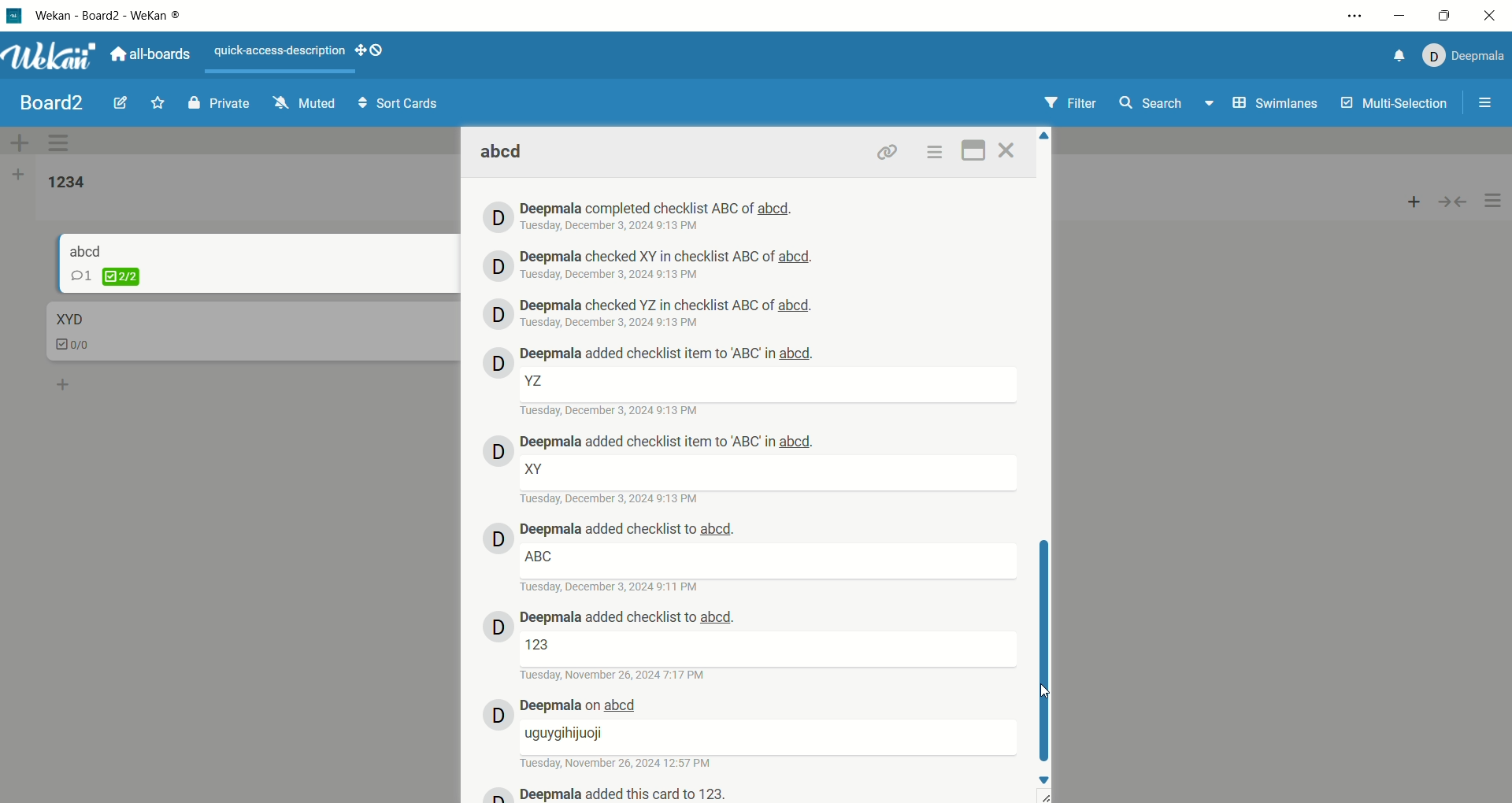 This screenshot has width=1512, height=803. I want to click on wekan-wekan, so click(108, 17).